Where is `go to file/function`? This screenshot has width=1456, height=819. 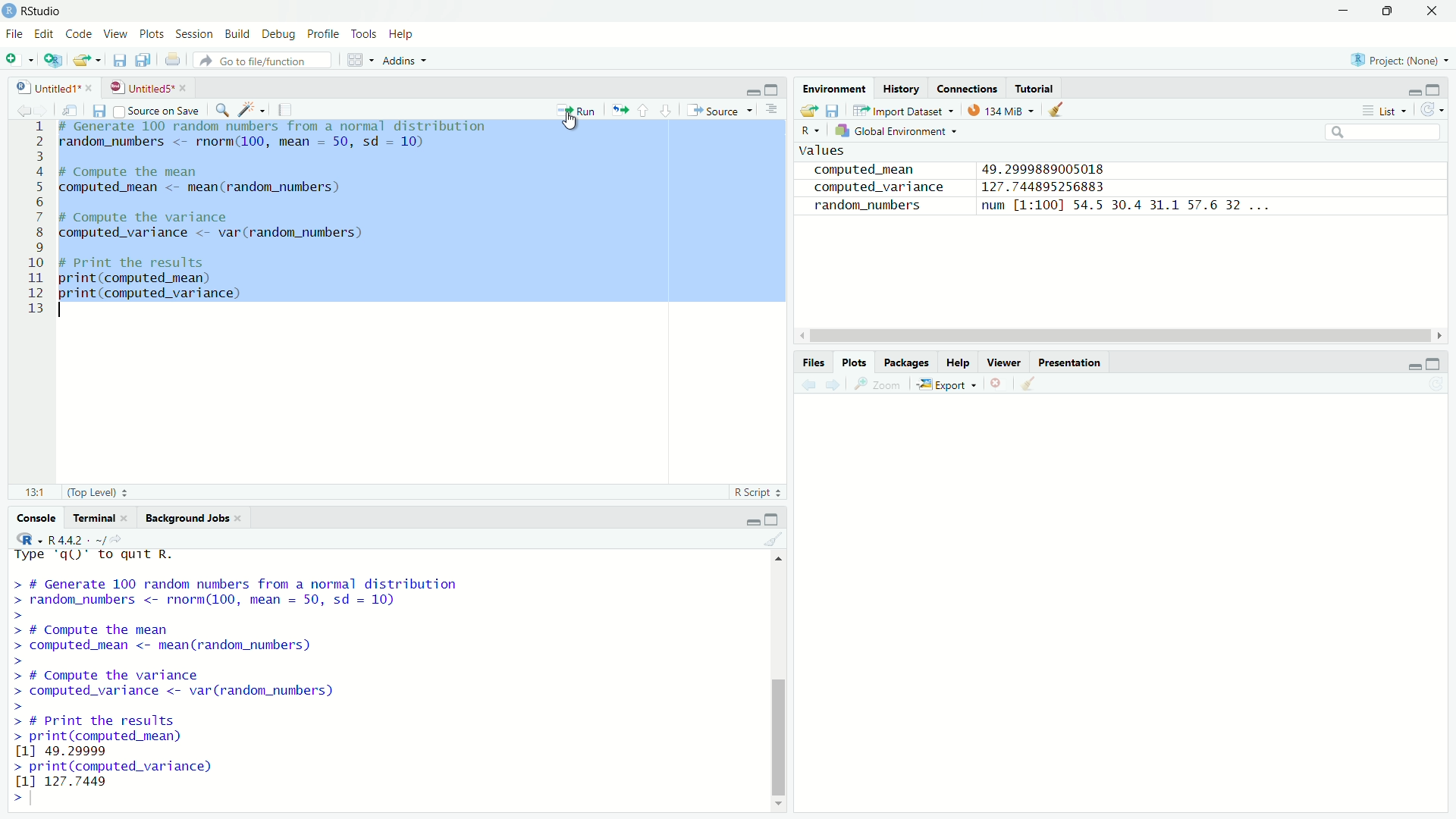 go to file/function is located at coordinates (268, 61).